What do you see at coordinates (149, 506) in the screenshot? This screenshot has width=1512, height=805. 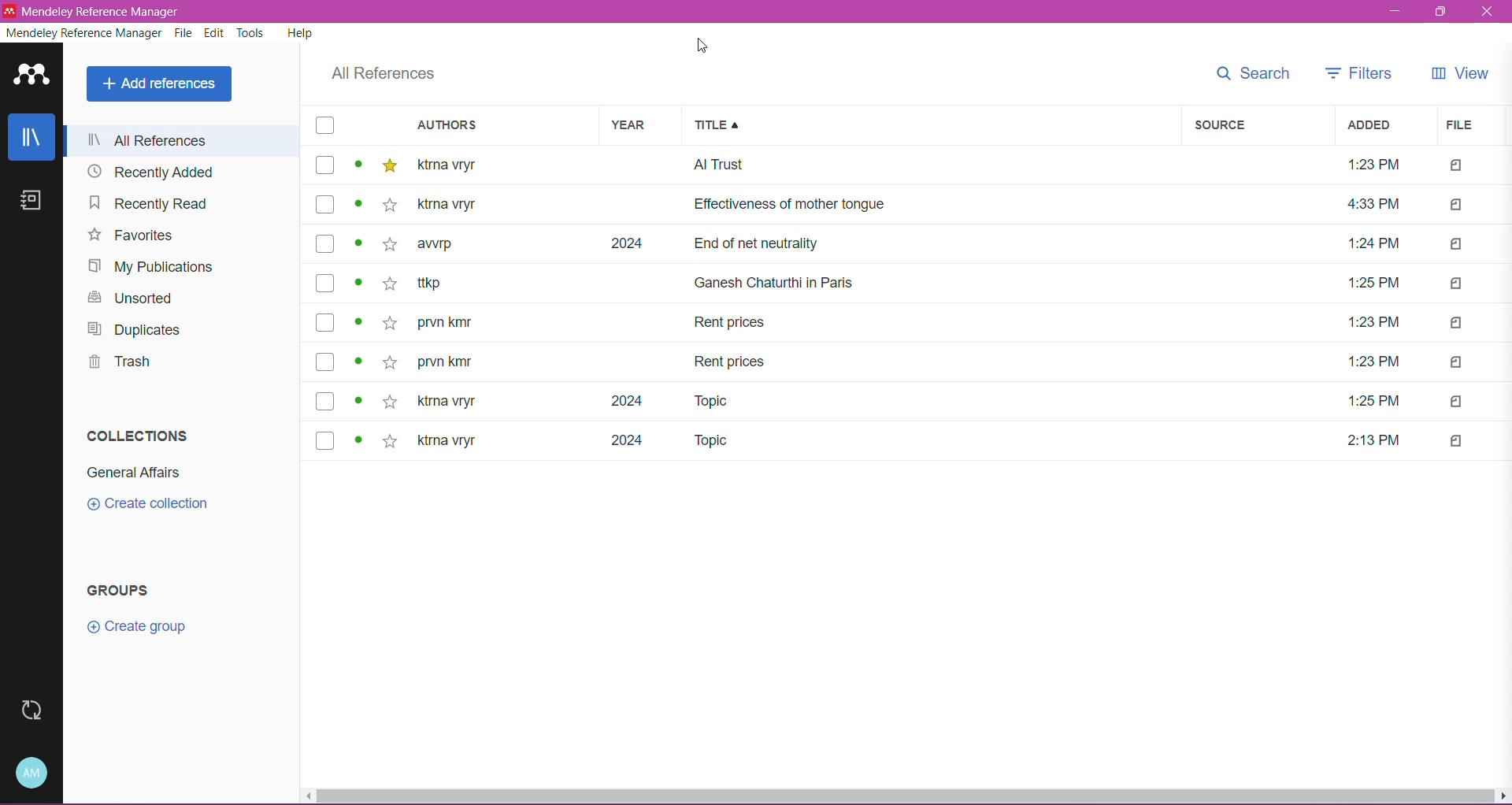 I see `Click to Create Collection` at bounding box center [149, 506].